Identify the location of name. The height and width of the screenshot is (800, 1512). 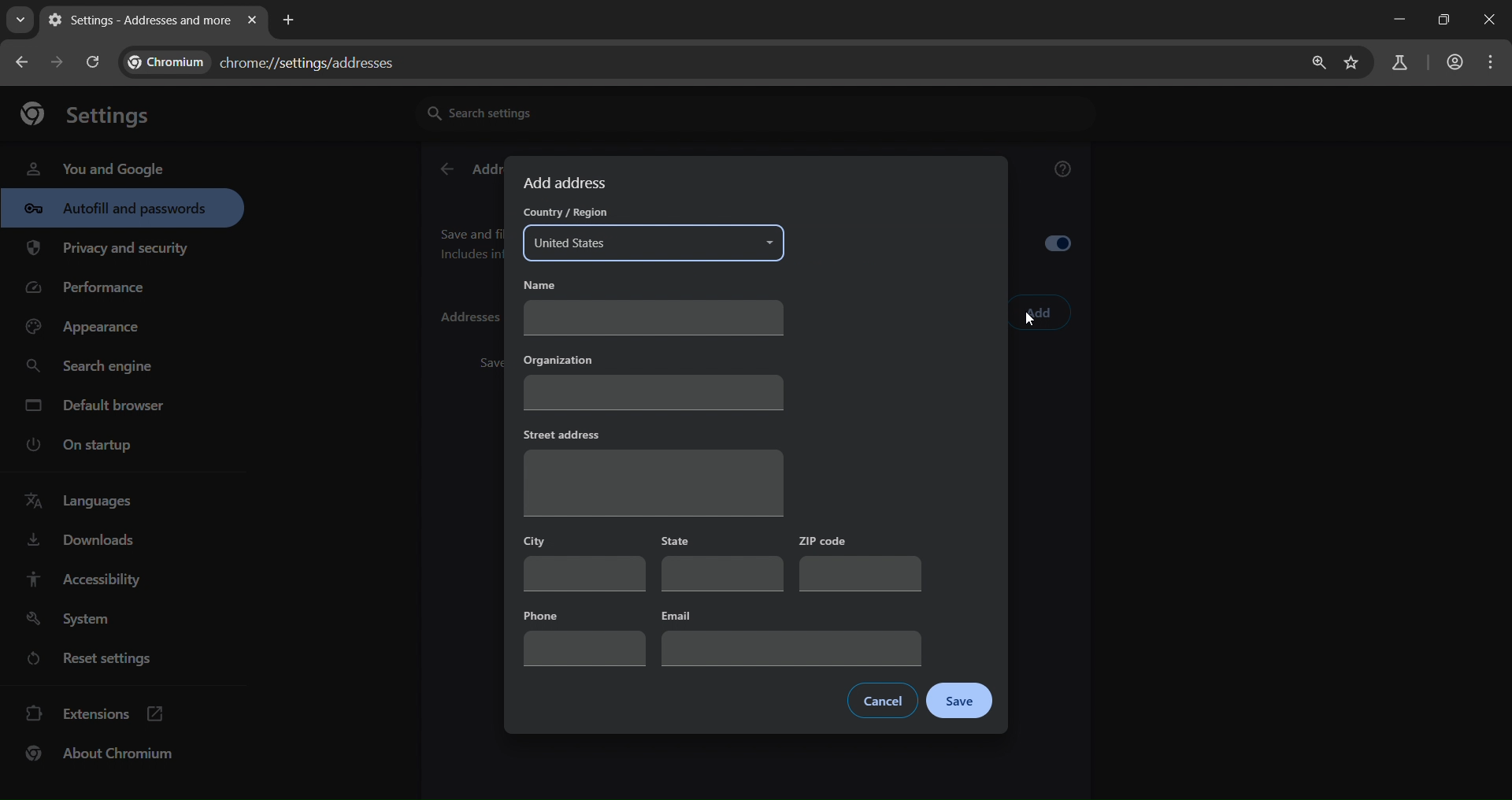
(649, 307).